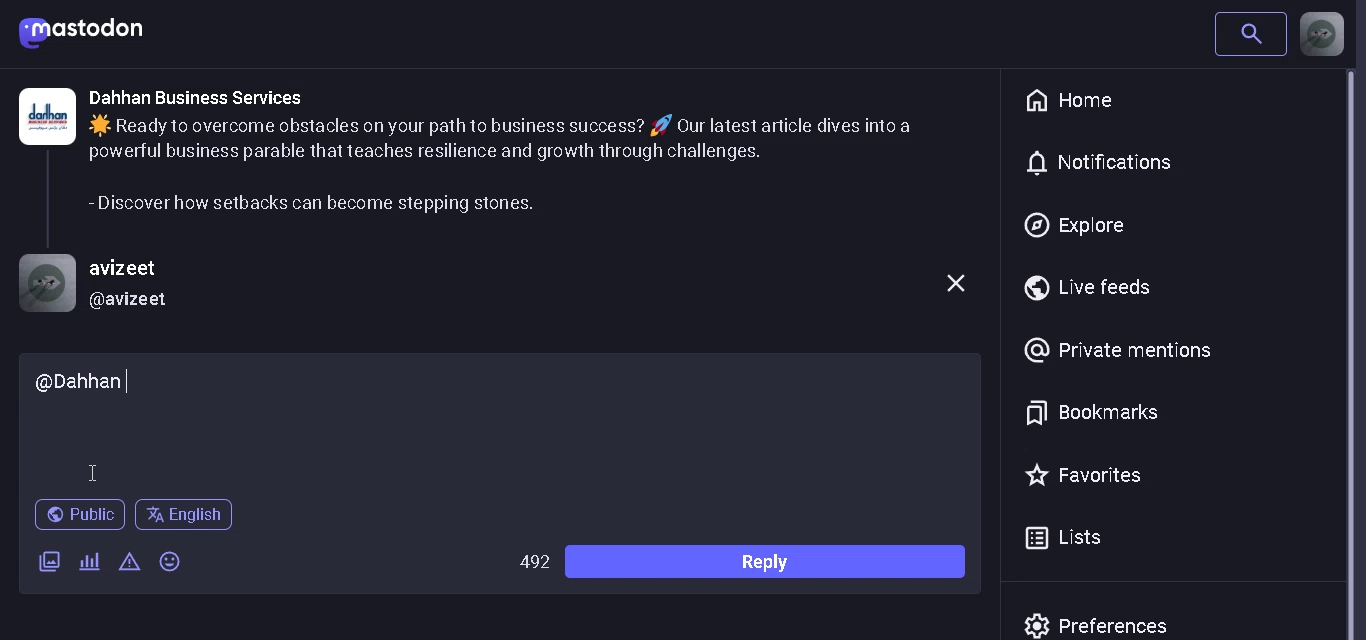 This screenshot has width=1366, height=640. What do you see at coordinates (524, 164) in the screenshot?
I see `post` at bounding box center [524, 164].